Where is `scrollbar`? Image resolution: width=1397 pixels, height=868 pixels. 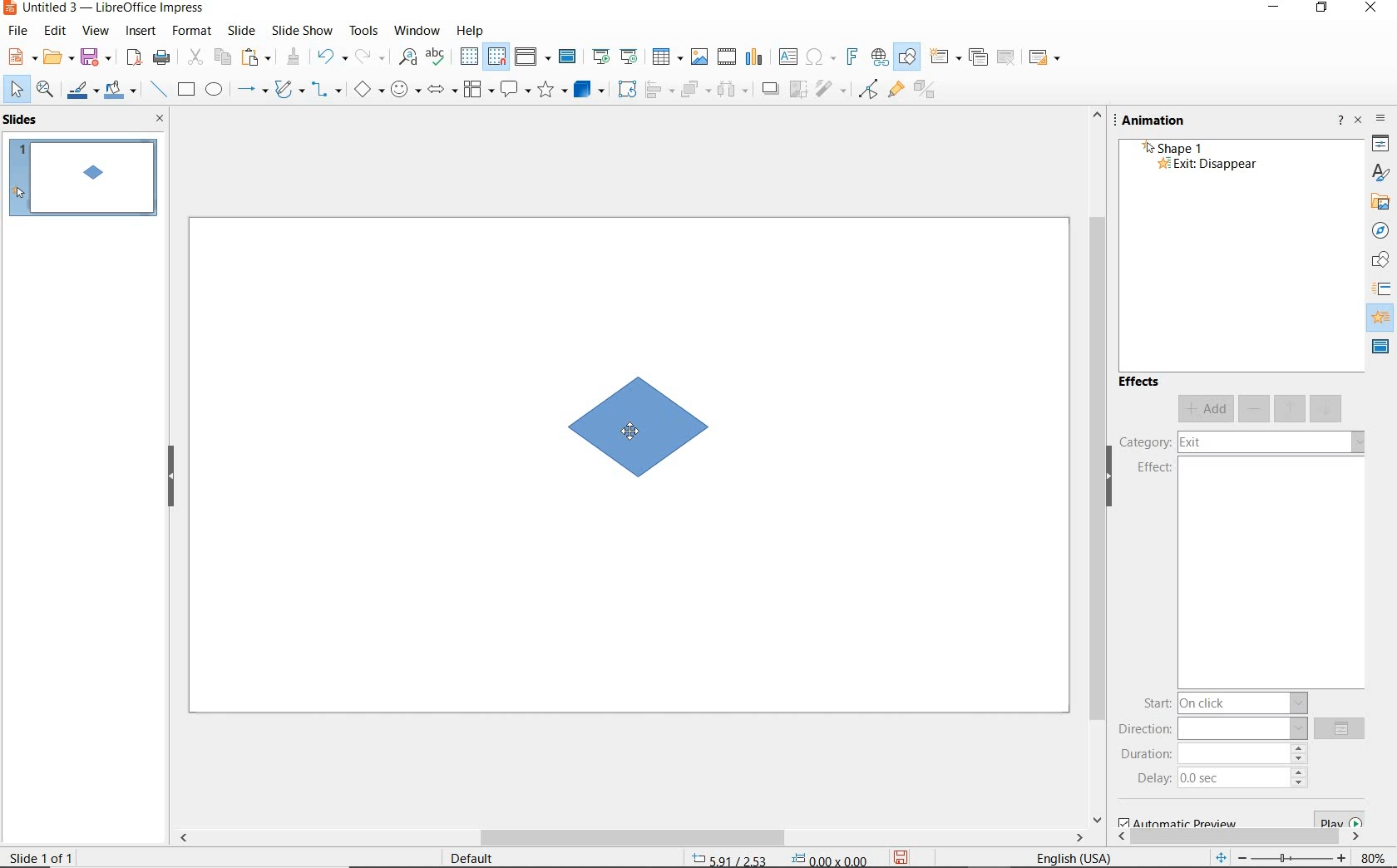
scrollbar is located at coordinates (1237, 838).